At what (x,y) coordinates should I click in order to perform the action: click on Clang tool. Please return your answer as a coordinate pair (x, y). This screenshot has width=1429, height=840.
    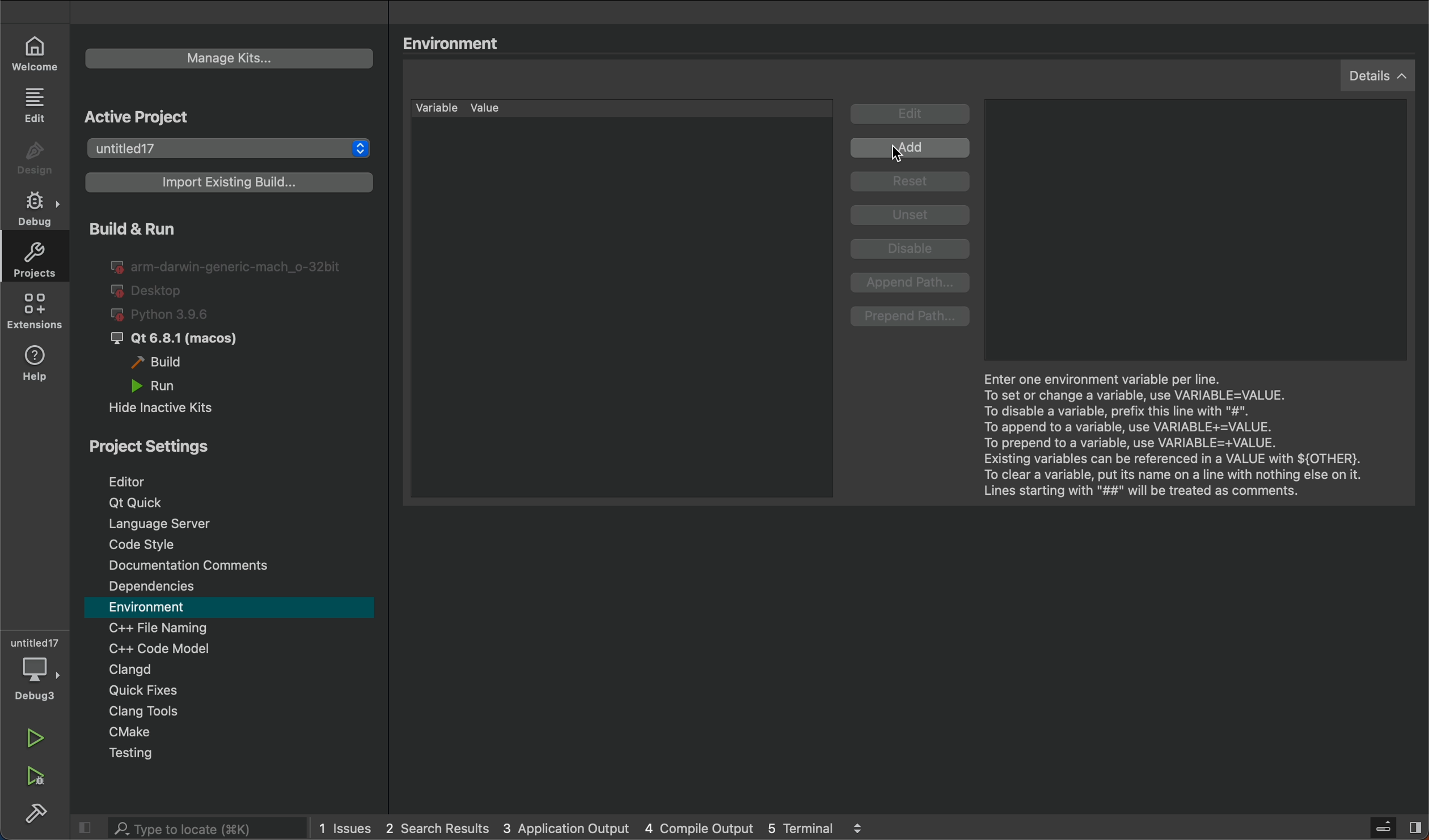
    Looking at the image, I should click on (238, 712).